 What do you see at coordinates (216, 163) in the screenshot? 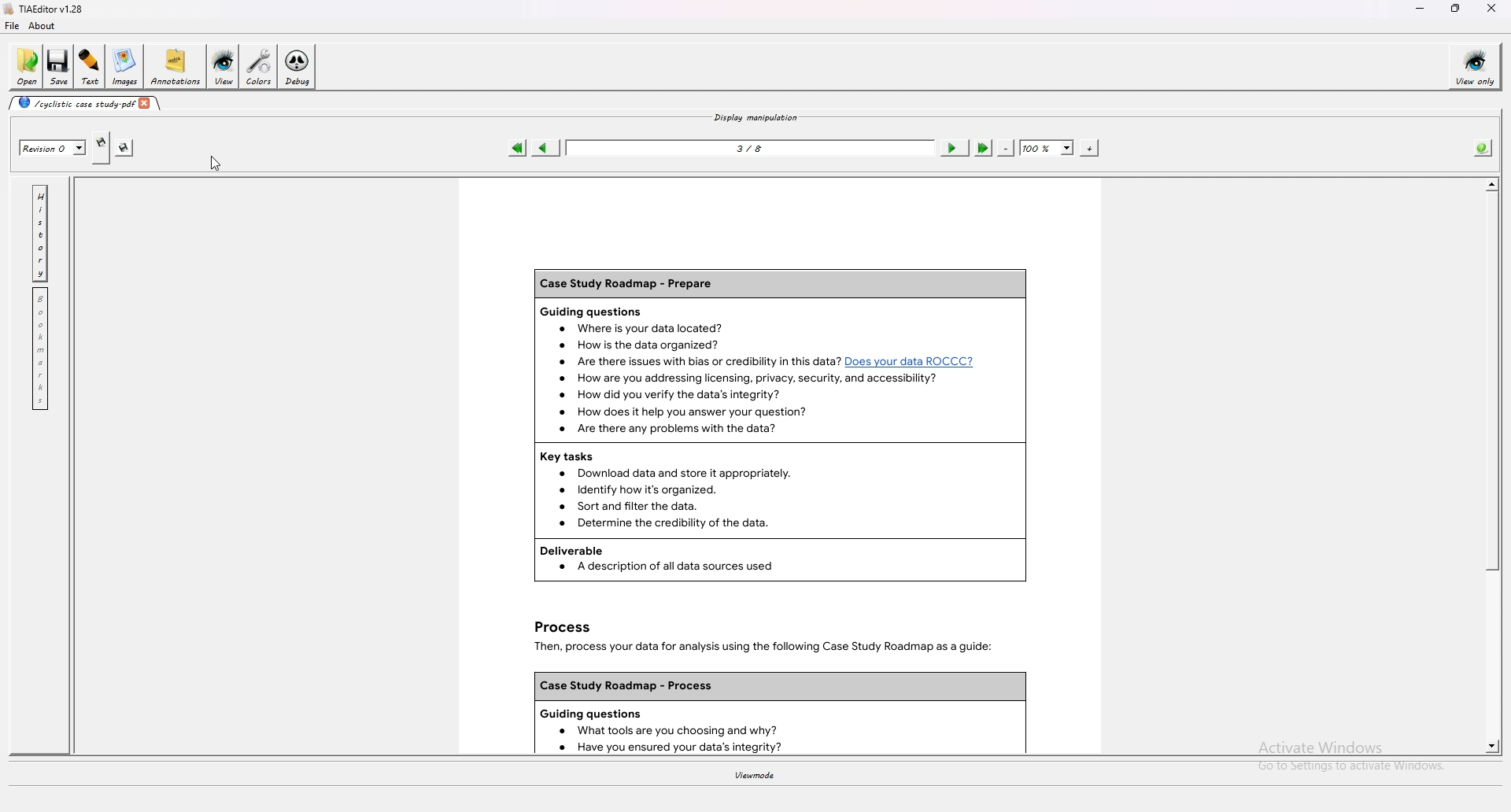
I see `cursor` at bounding box center [216, 163].